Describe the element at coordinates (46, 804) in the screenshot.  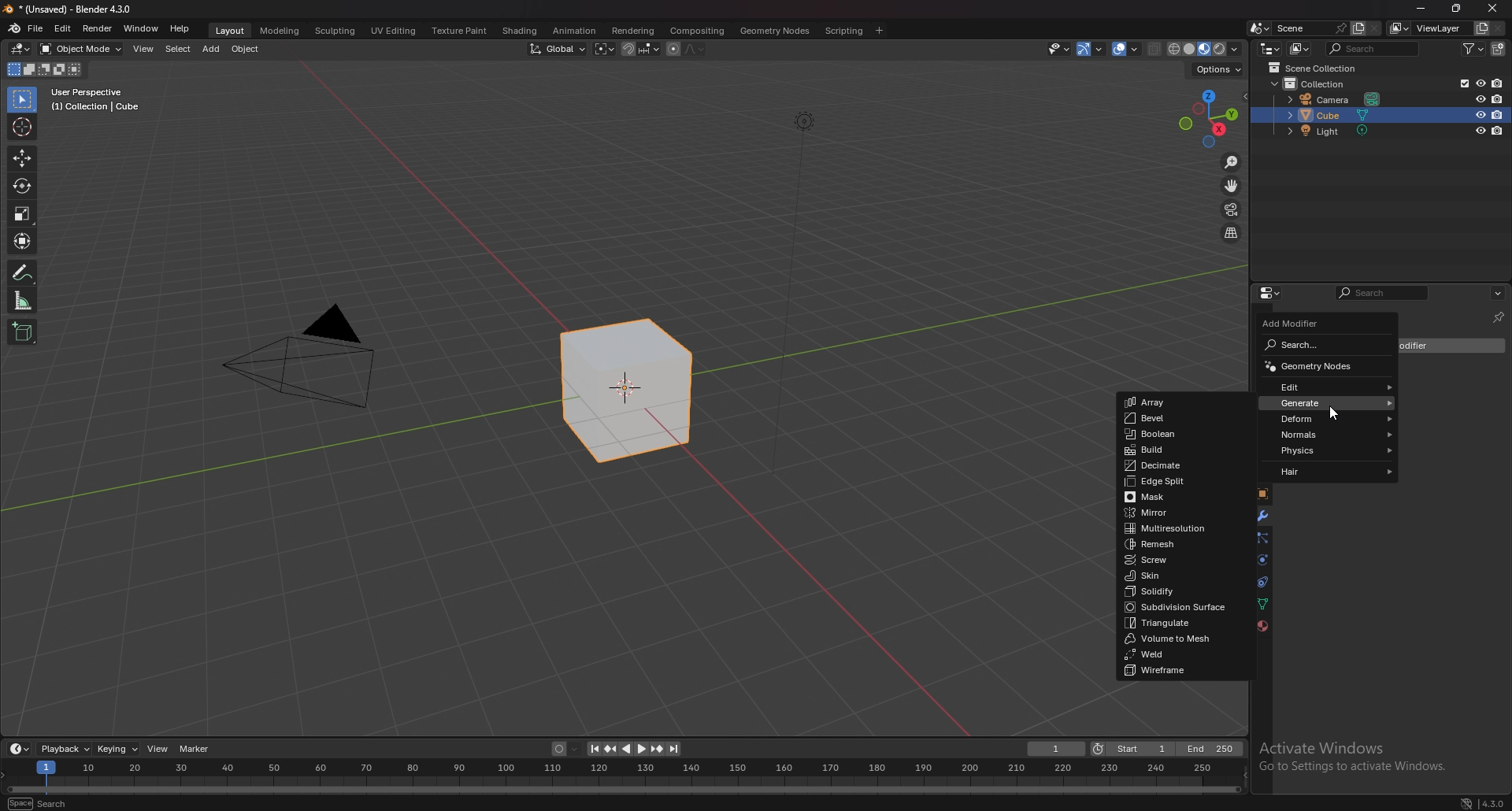
I see `search` at that location.